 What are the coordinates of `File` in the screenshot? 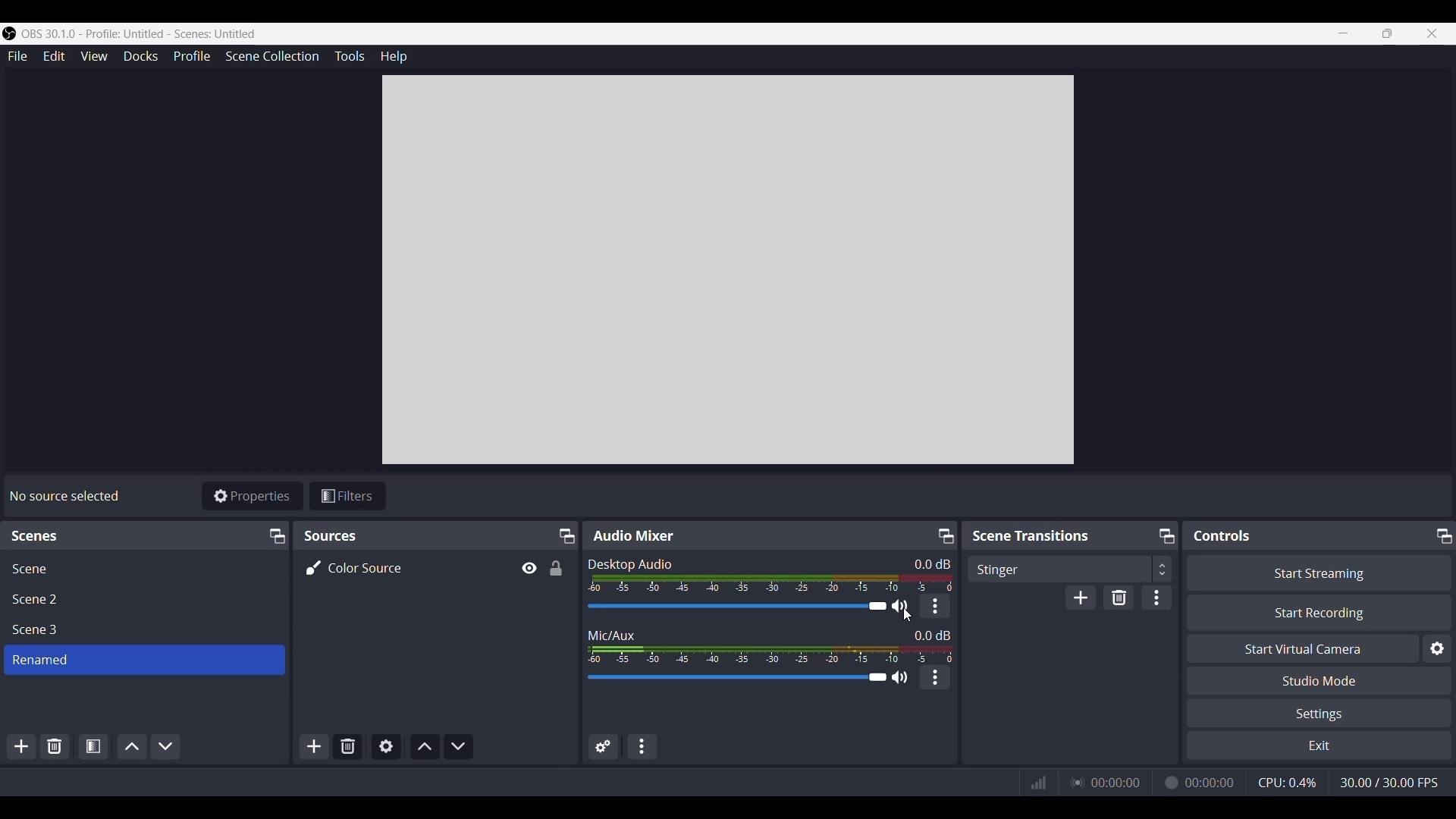 It's located at (17, 57).